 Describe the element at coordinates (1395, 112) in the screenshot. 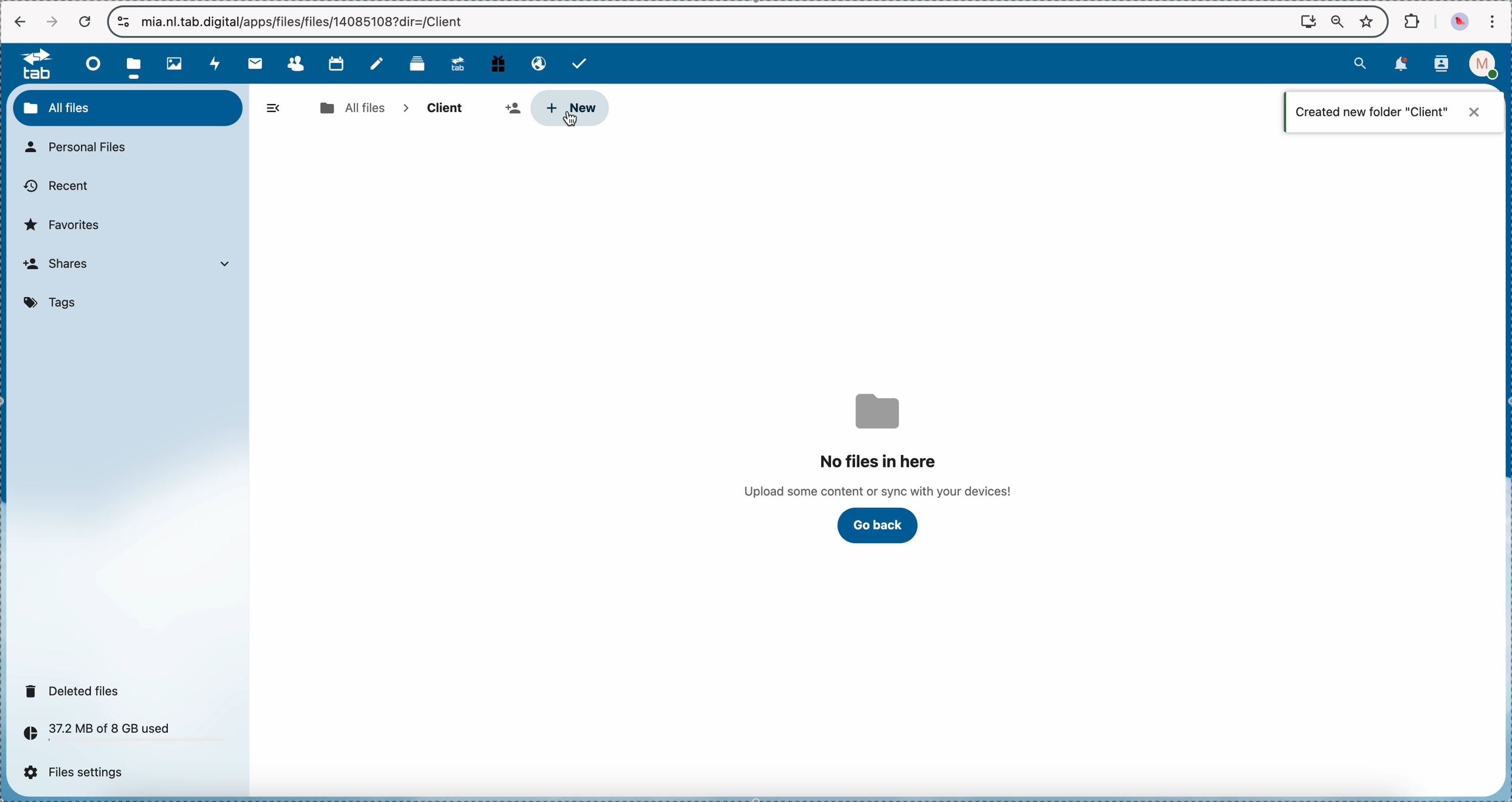

I see `notification` at that location.